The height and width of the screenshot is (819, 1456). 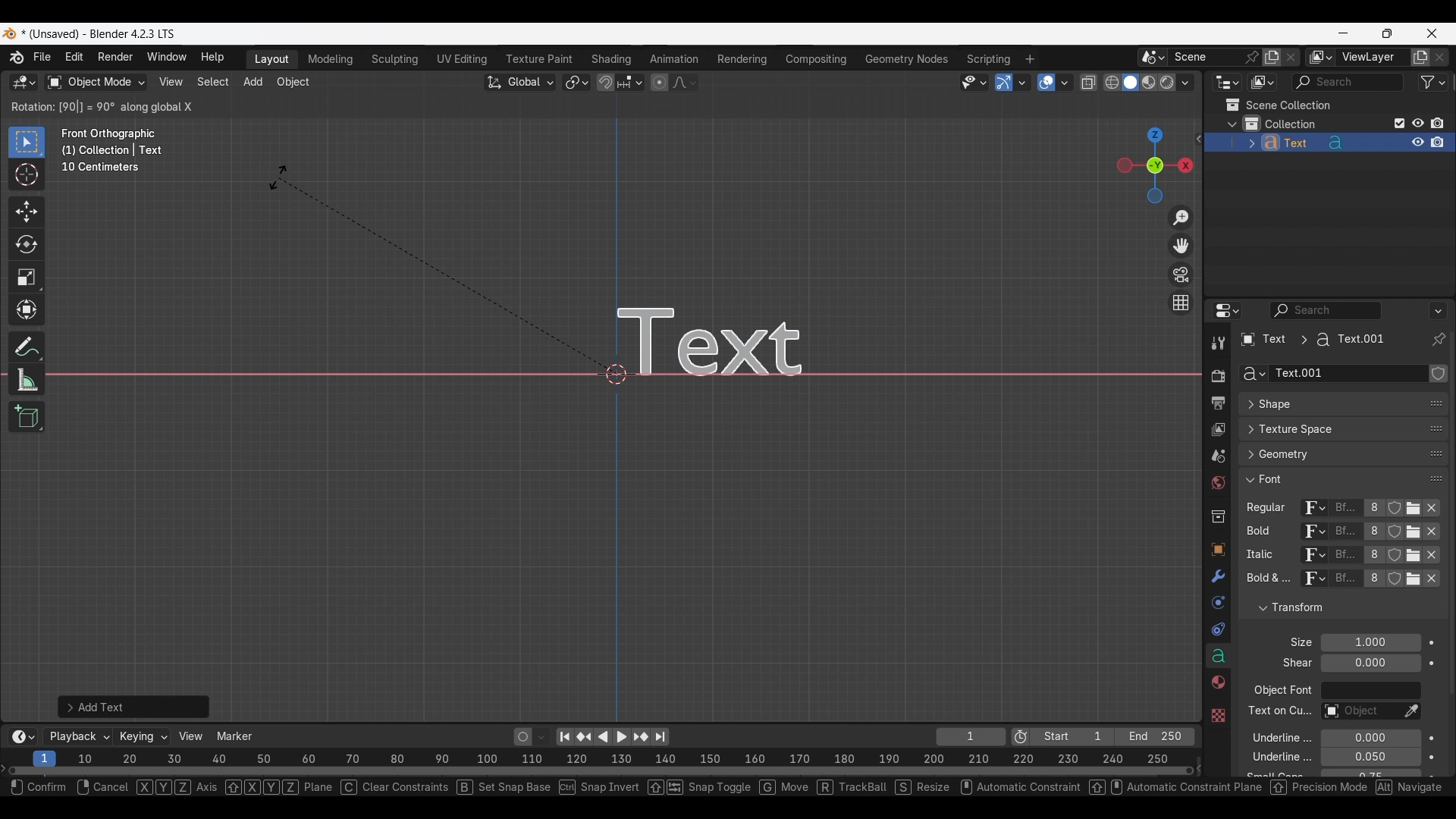 I want to click on Move the view, so click(x=1182, y=246).